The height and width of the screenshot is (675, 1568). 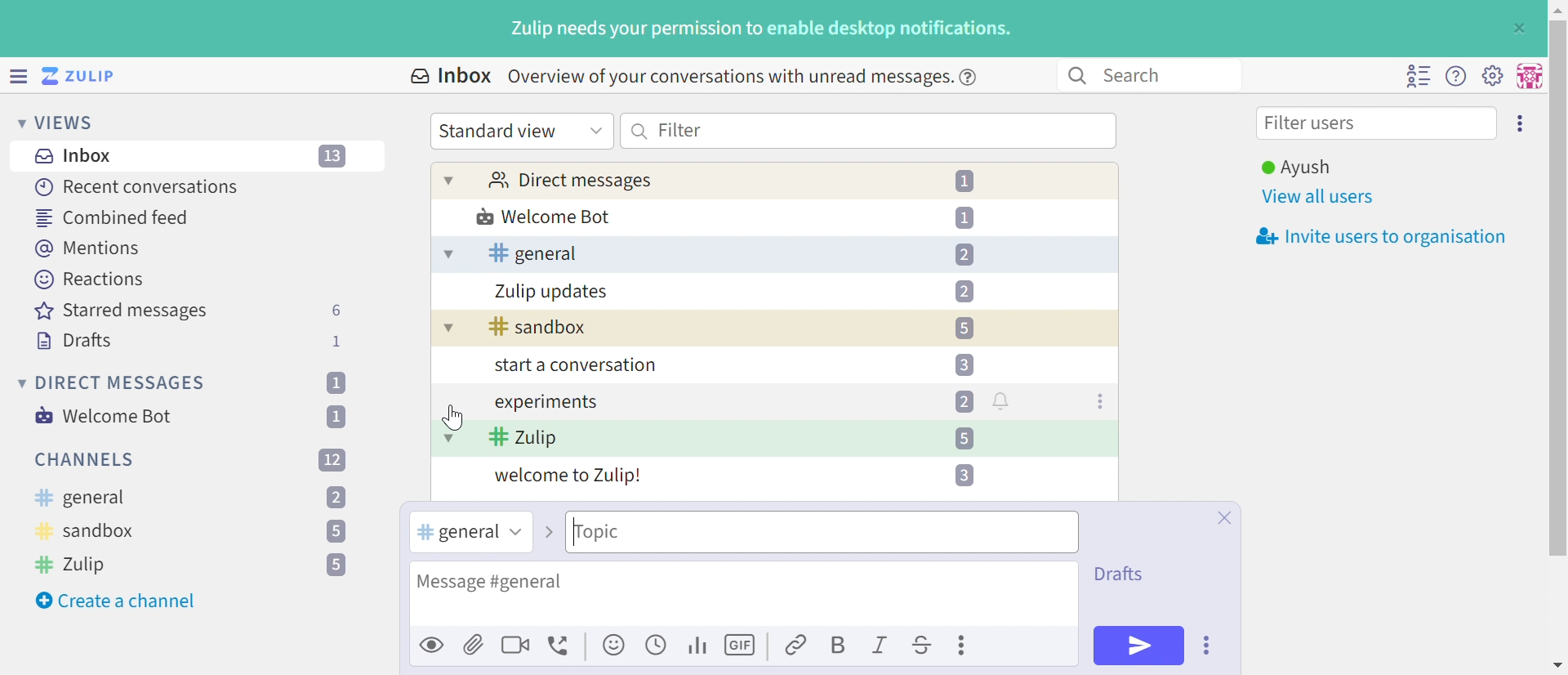 What do you see at coordinates (448, 416) in the screenshot?
I see `Cursor` at bounding box center [448, 416].